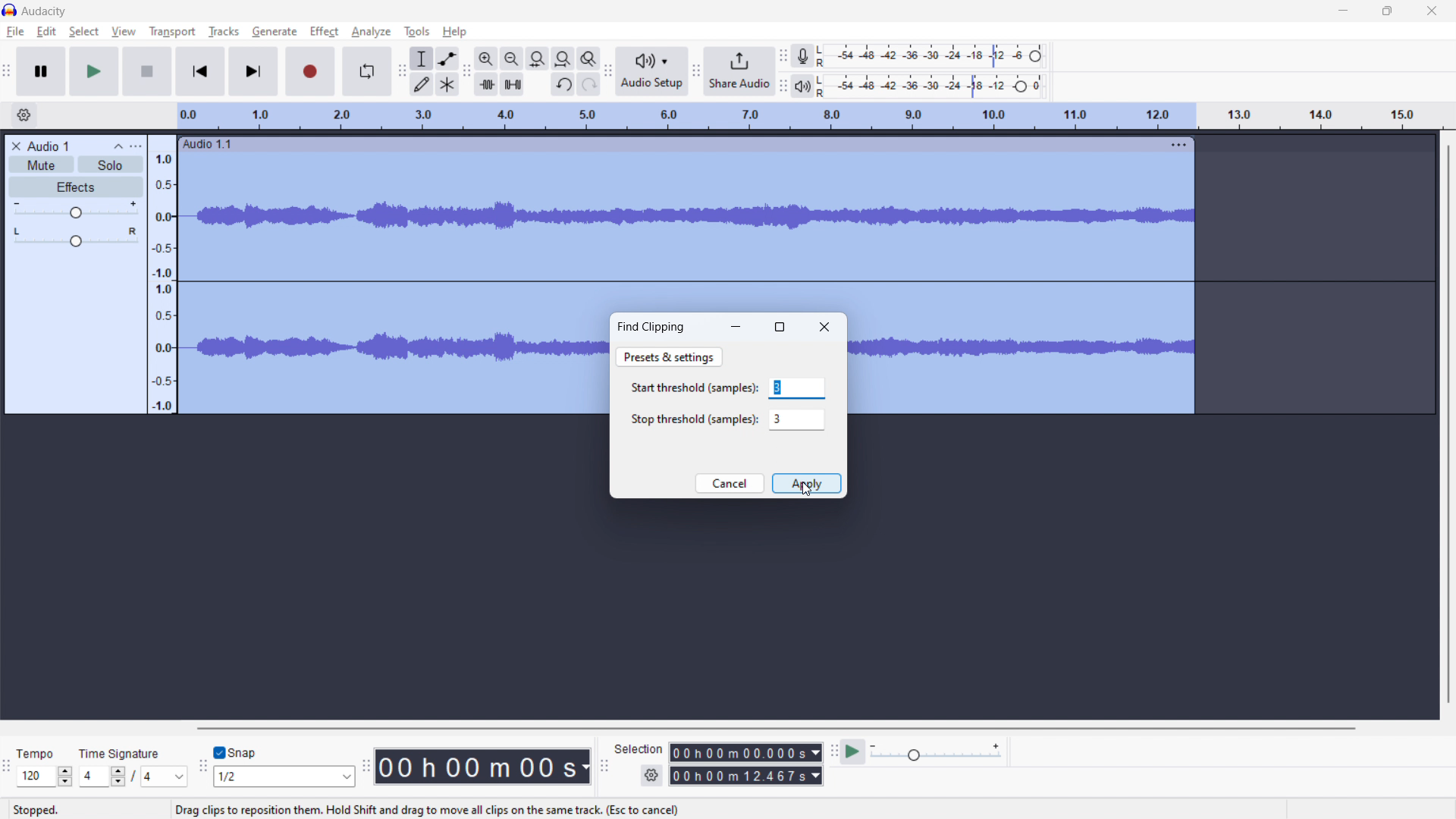 This screenshot has height=819, width=1456. Describe the element at coordinates (275, 32) in the screenshot. I see `generate` at that location.